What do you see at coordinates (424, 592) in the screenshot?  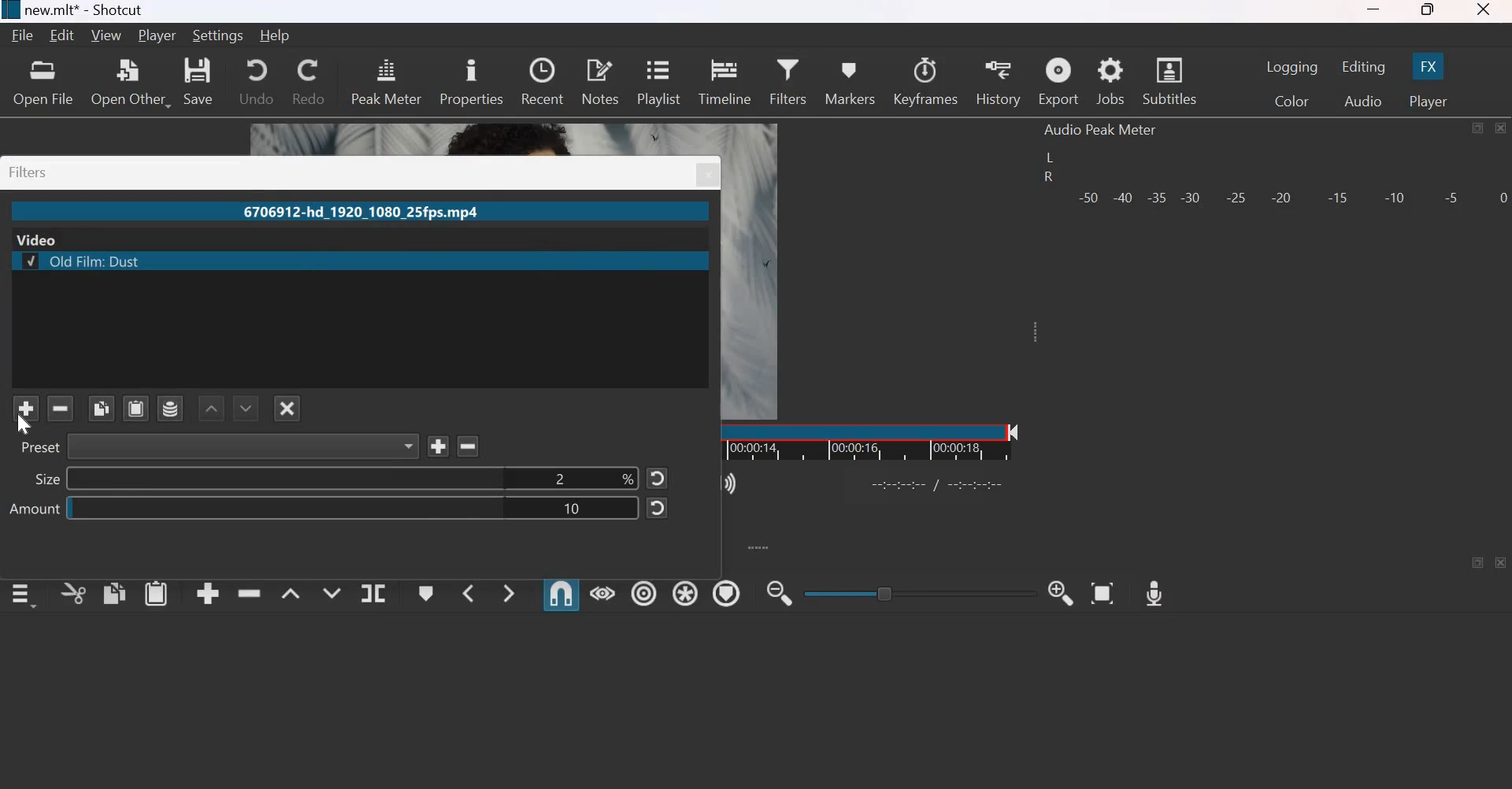 I see `Create/edit marker` at bounding box center [424, 592].